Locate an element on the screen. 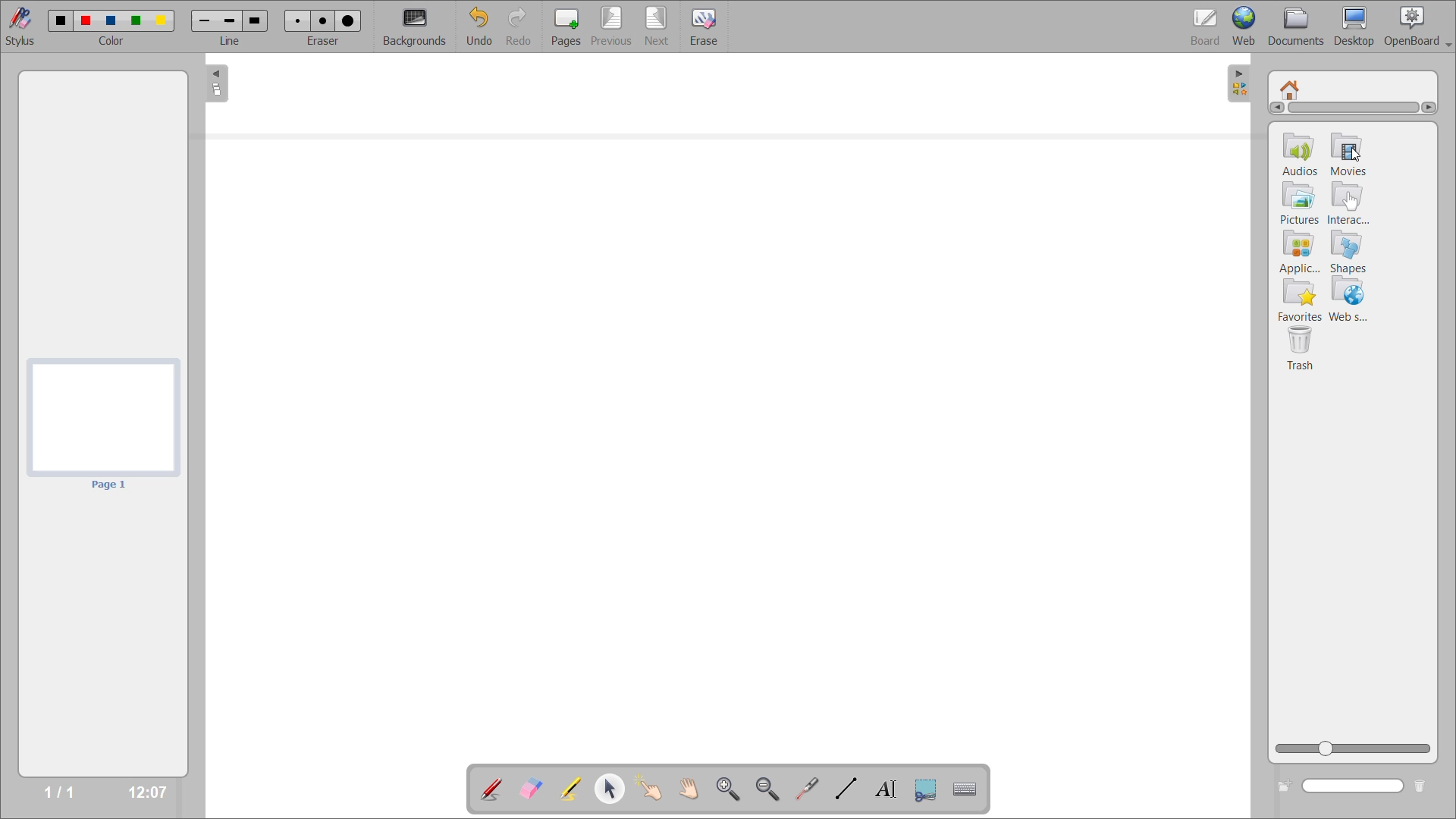 Image resolution: width=1456 pixels, height=819 pixels. pictures is located at coordinates (1298, 204).